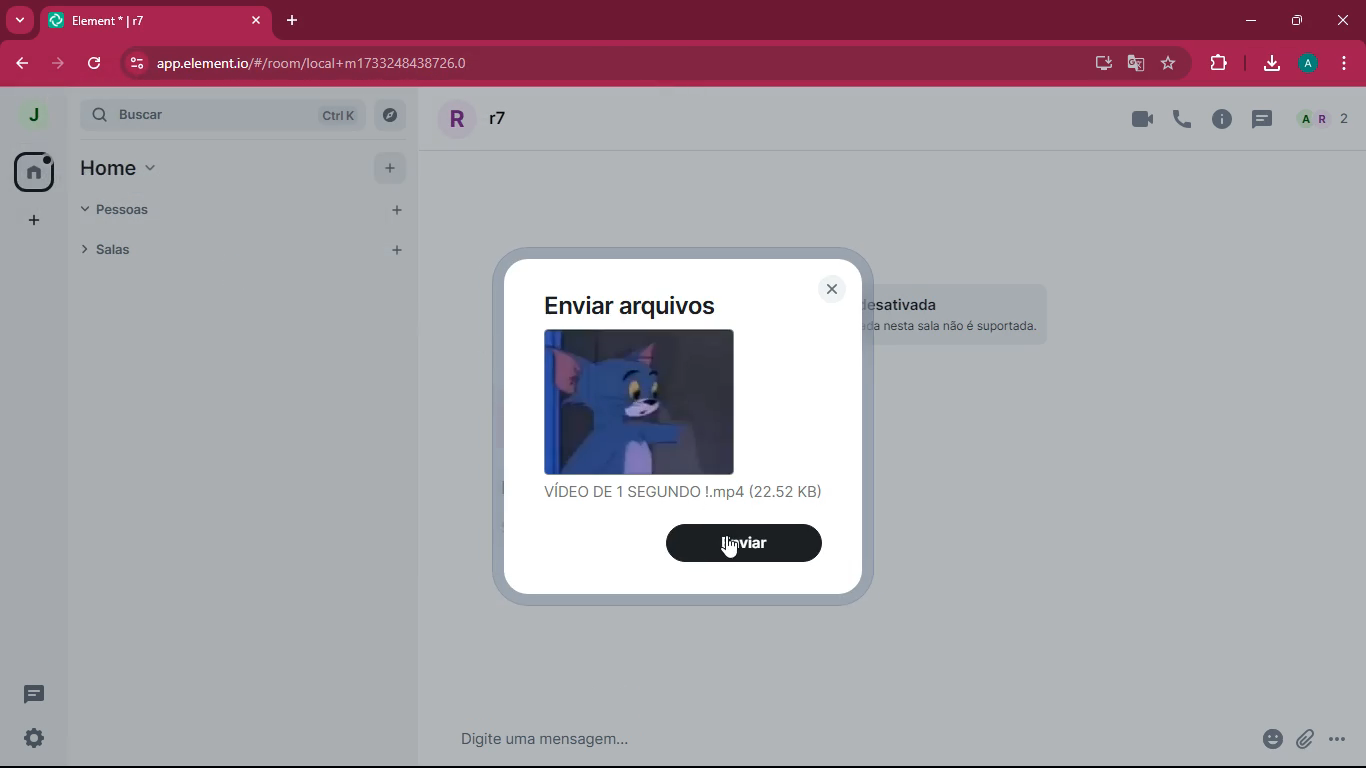 This screenshot has width=1366, height=768. I want to click on element* |r7, so click(154, 18).